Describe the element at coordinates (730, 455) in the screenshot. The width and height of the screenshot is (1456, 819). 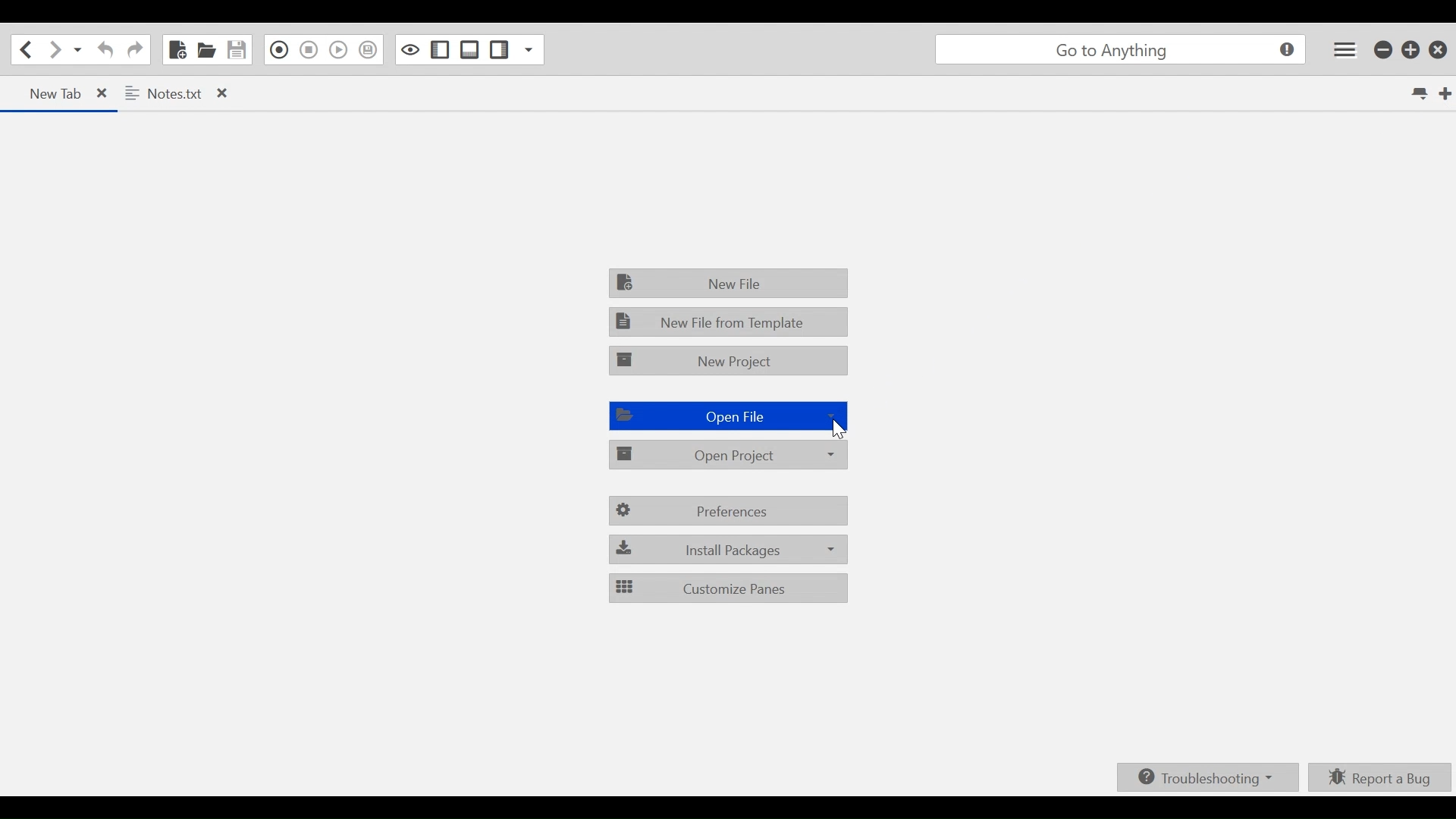
I see `Open Project` at that location.